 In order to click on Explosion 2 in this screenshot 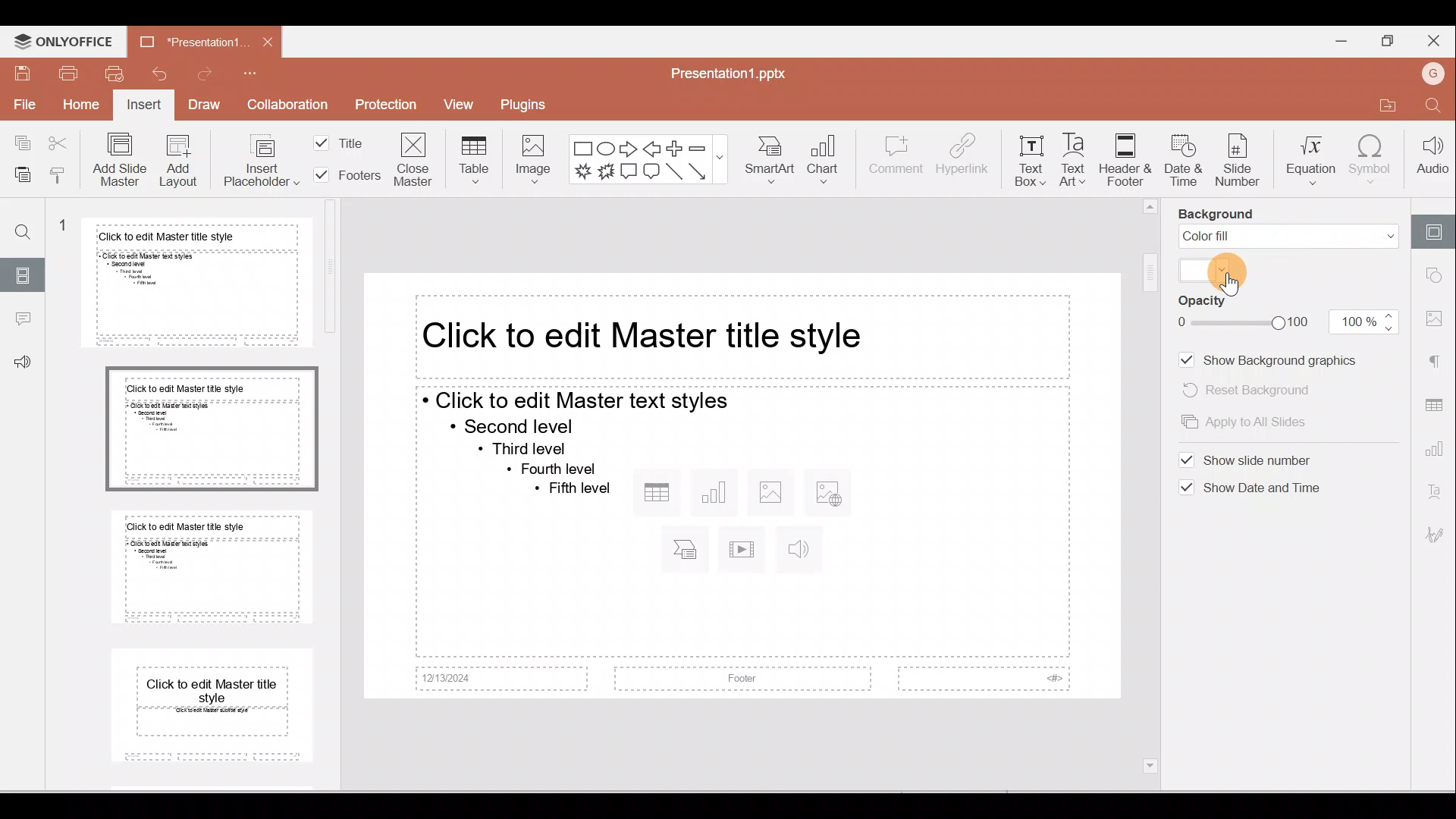, I will do `click(607, 173)`.